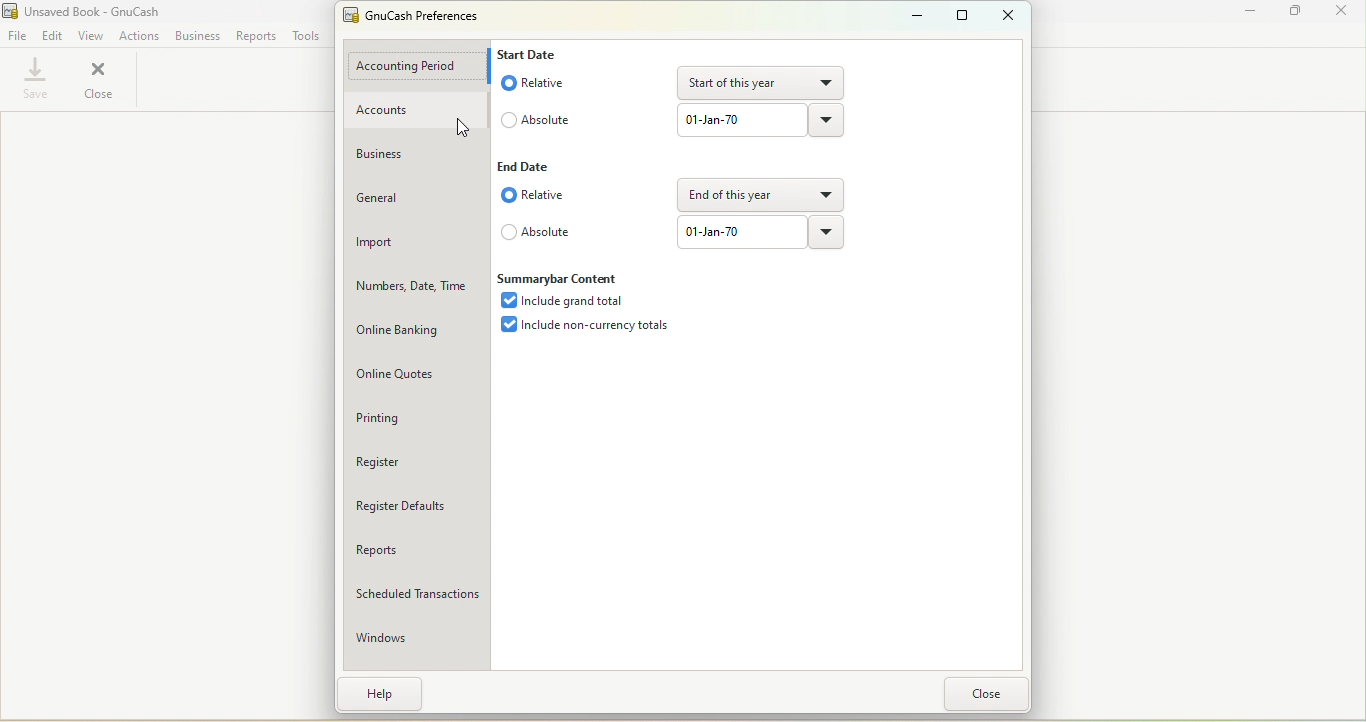  What do you see at coordinates (420, 18) in the screenshot?
I see `File name` at bounding box center [420, 18].